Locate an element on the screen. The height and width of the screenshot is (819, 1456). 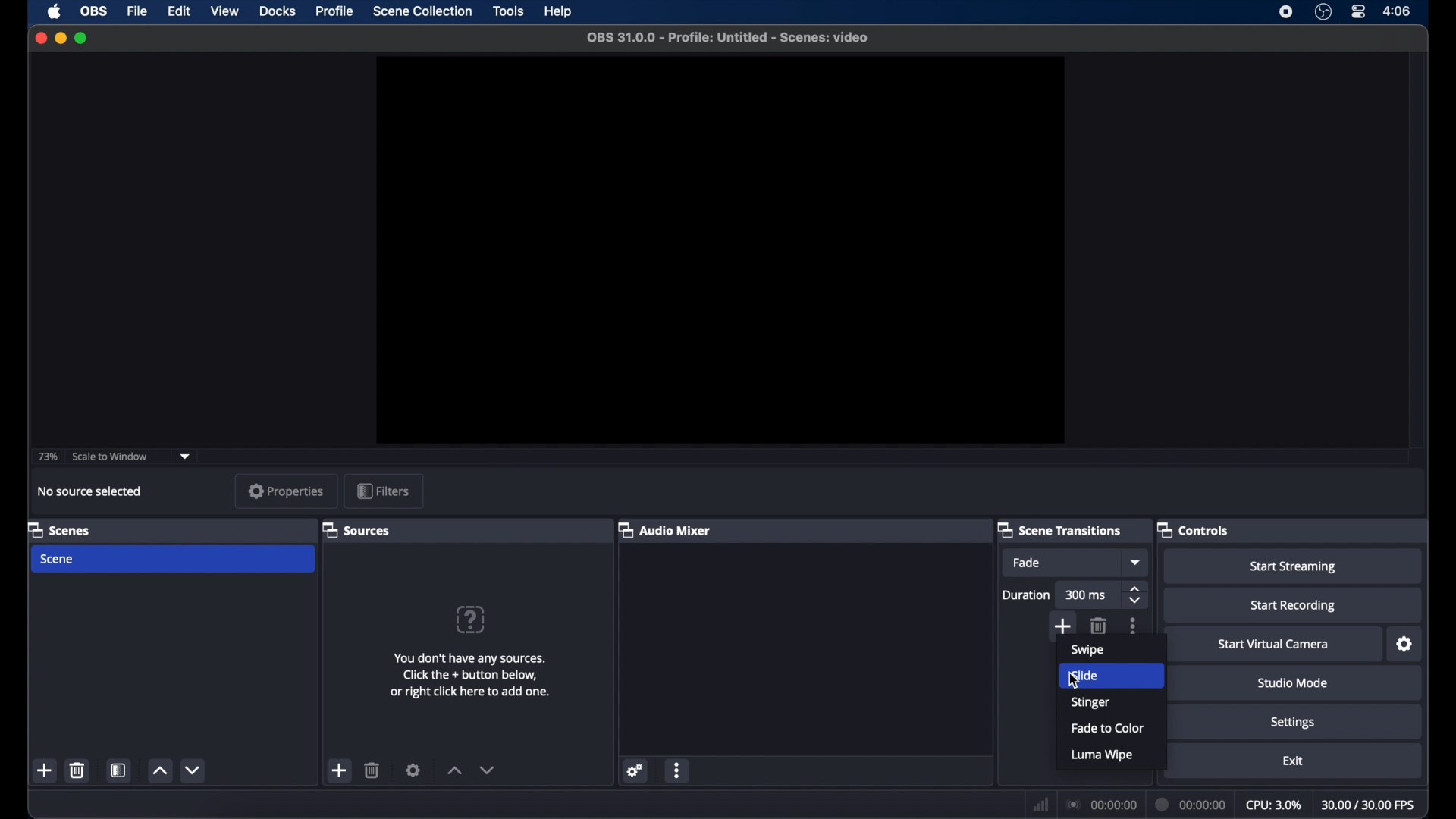
delete is located at coordinates (77, 770).